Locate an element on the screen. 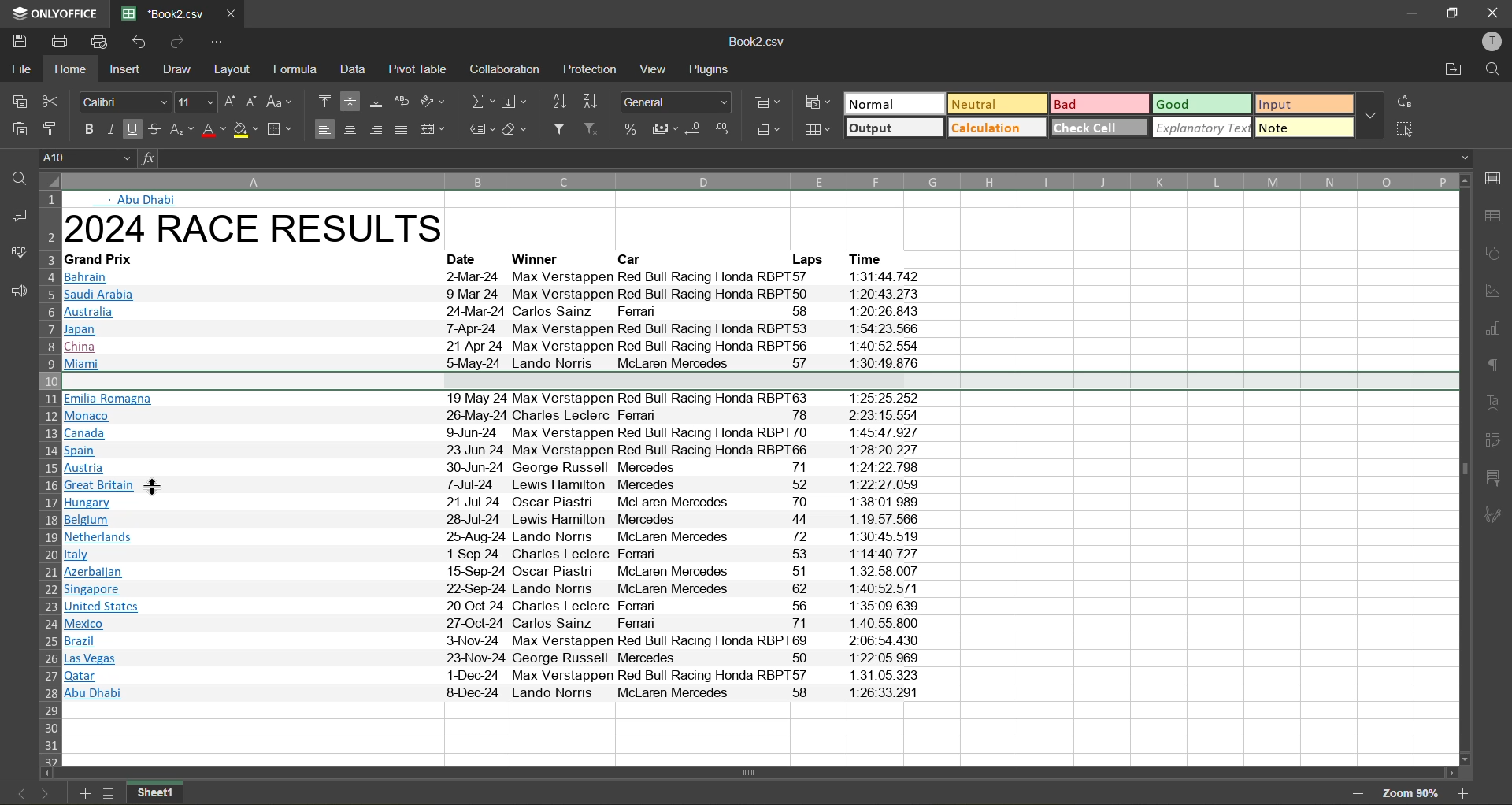  format as table is located at coordinates (817, 131).